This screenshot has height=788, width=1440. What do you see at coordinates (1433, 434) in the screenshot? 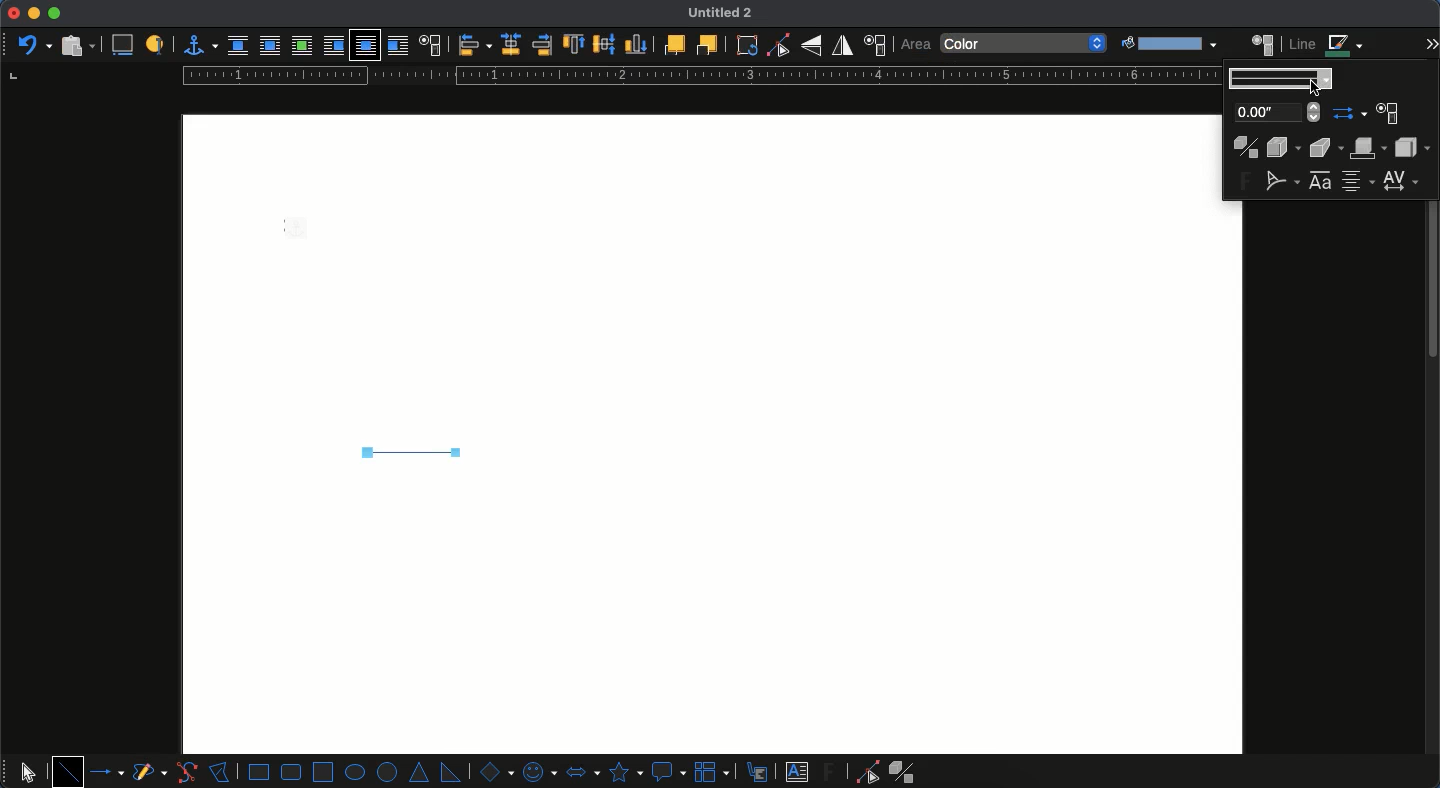
I see `scroll` at bounding box center [1433, 434].